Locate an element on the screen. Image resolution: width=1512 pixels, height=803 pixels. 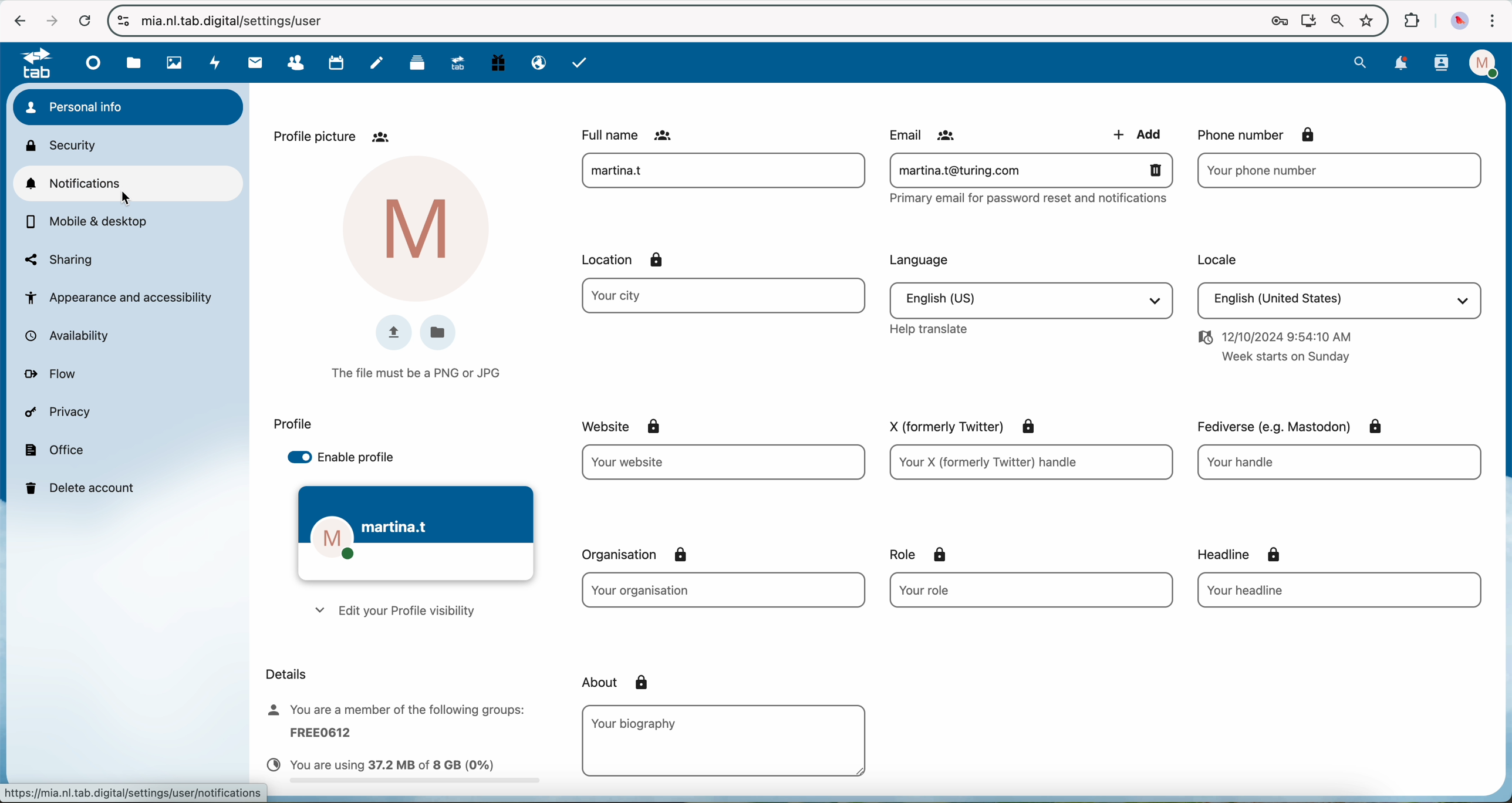
mobile and desktop is located at coordinates (89, 223).